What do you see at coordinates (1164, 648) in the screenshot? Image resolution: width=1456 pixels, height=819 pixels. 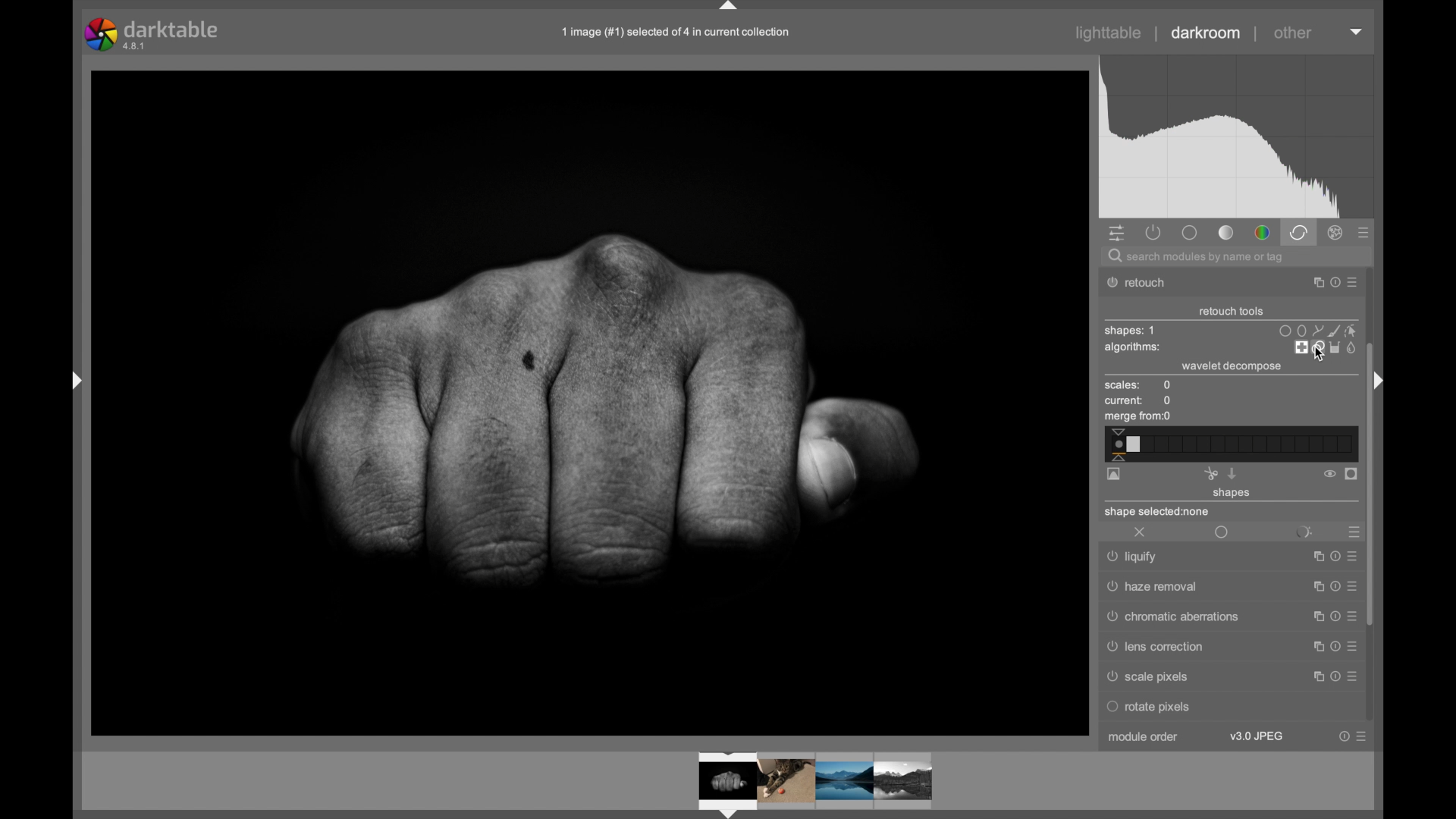 I see `lens correction` at bounding box center [1164, 648].